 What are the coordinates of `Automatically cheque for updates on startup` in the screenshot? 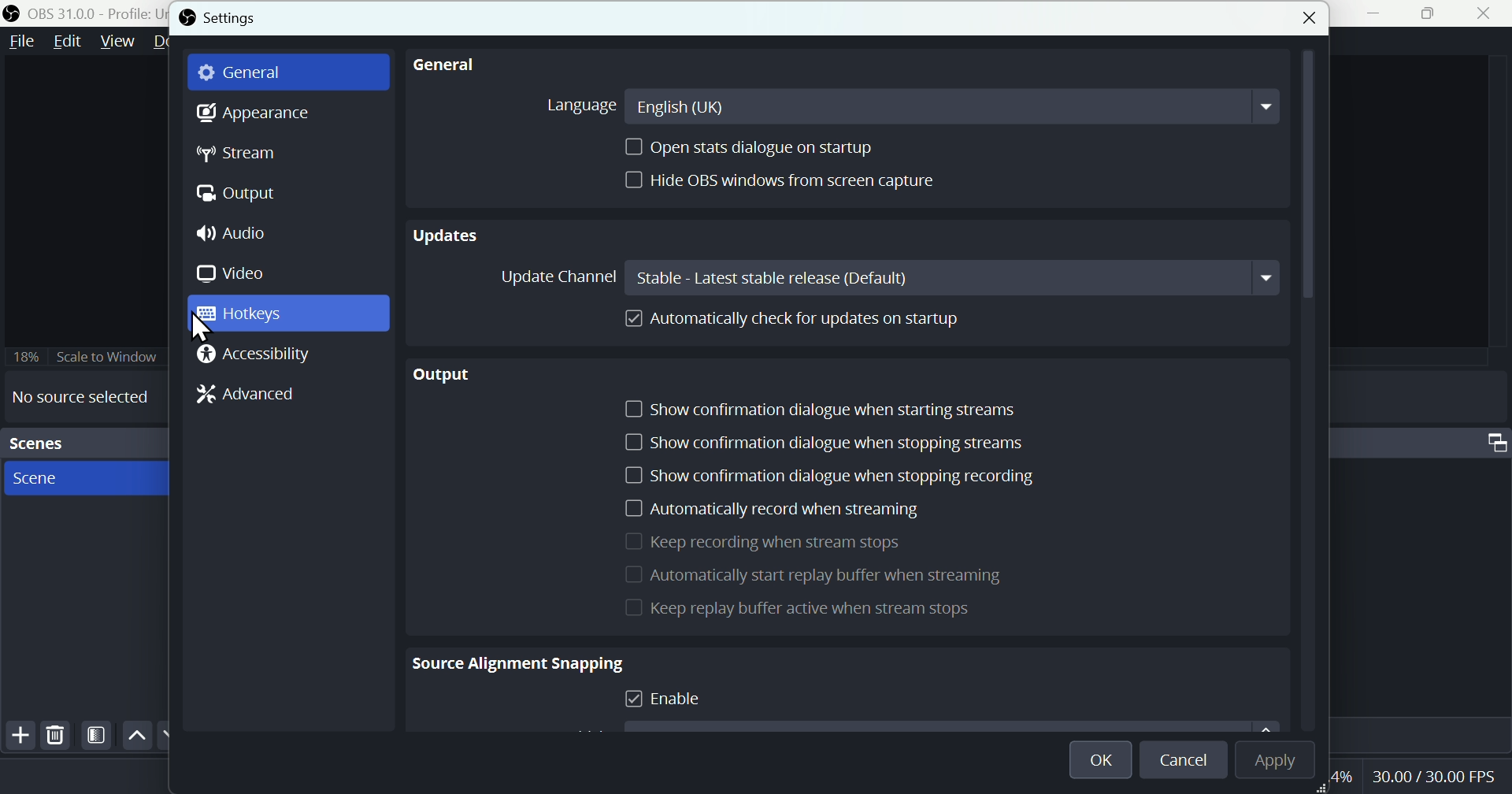 It's located at (830, 320).